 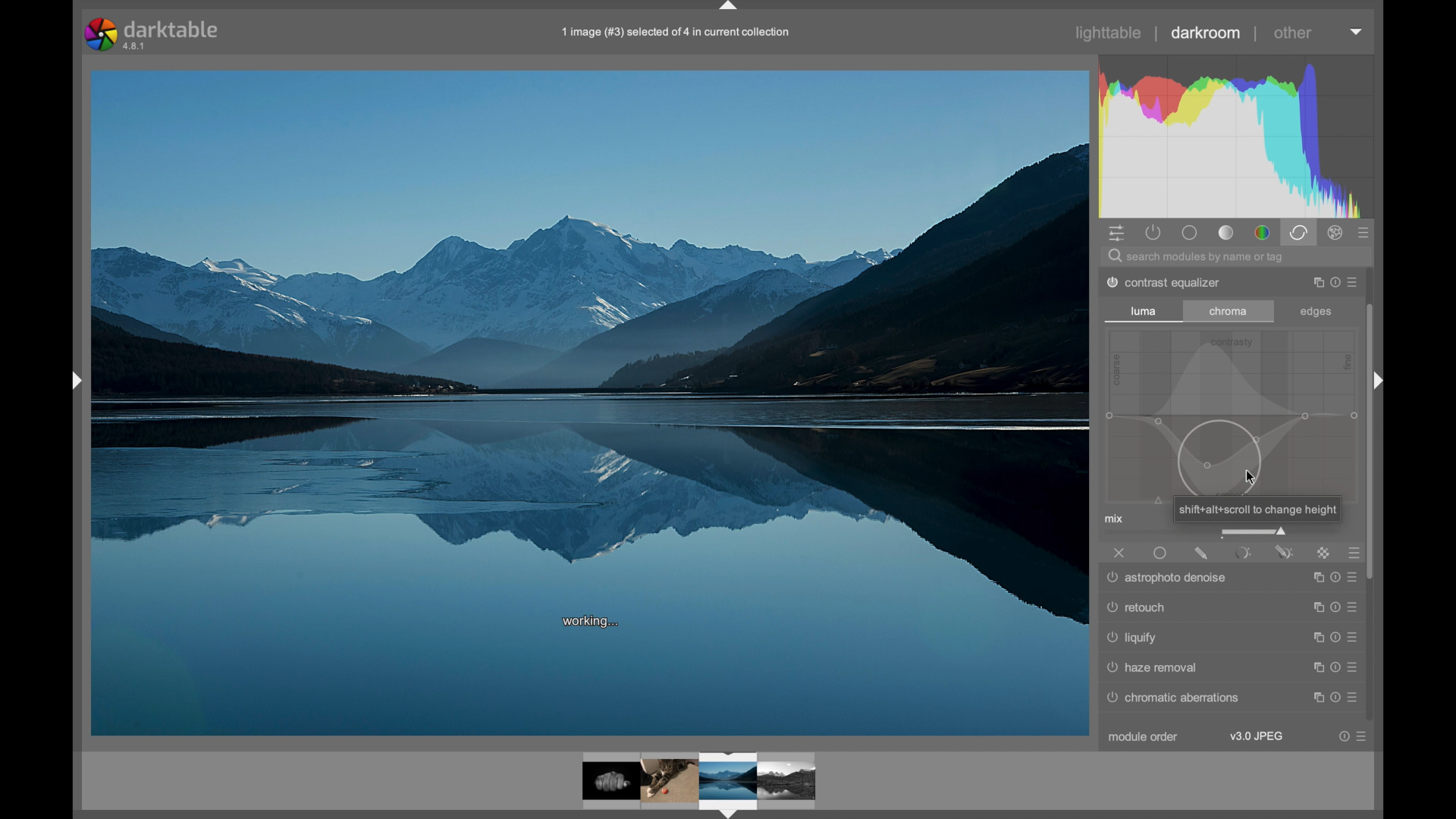 What do you see at coordinates (1118, 233) in the screenshot?
I see `quick  access  panel` at bounding box center [1118, 233].